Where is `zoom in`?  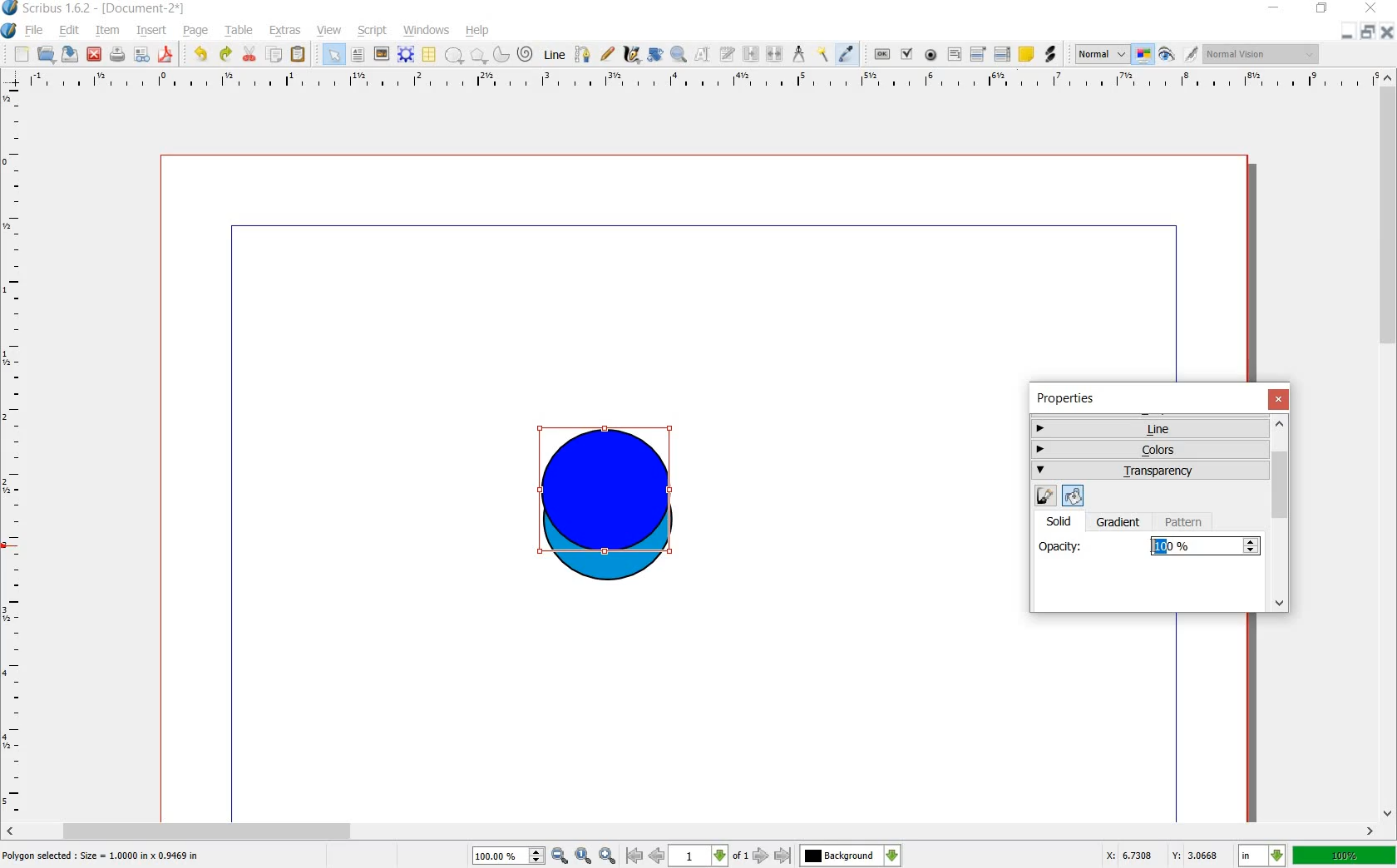
zoom in is located at coordinates (607, 856).